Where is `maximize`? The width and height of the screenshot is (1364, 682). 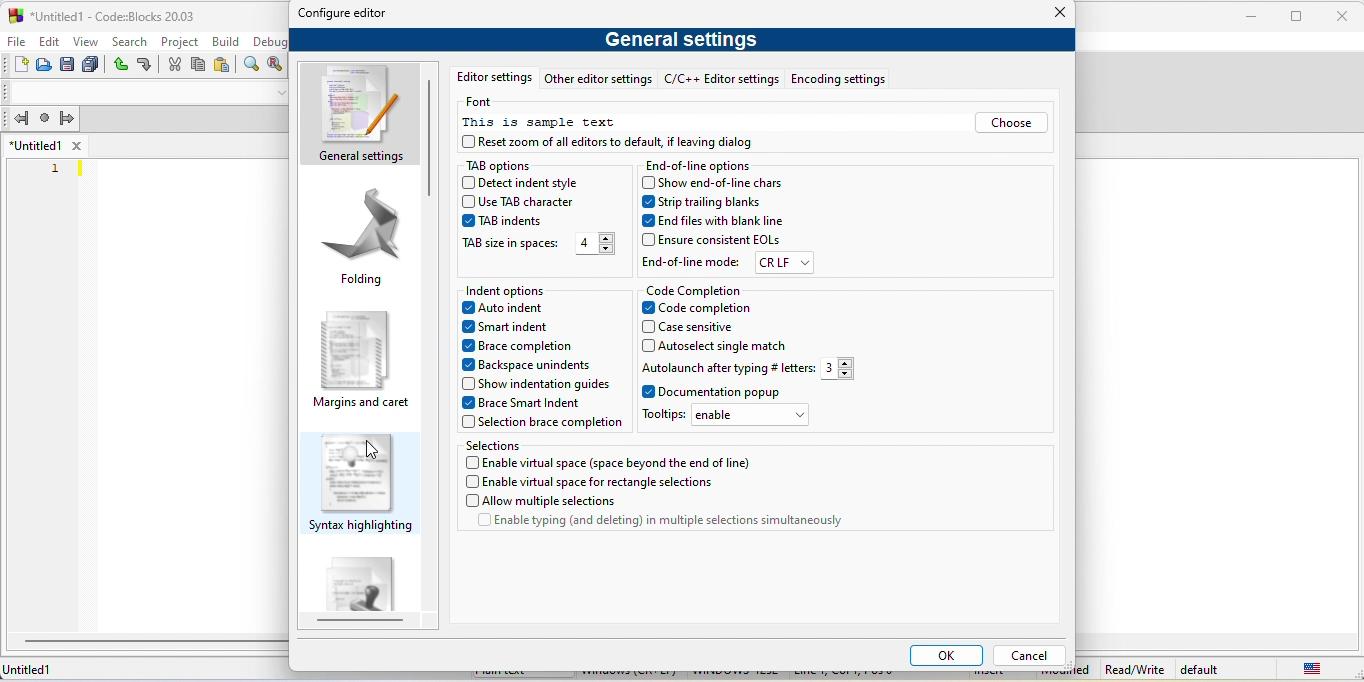 maximize is located at coordinates (1297, 17).